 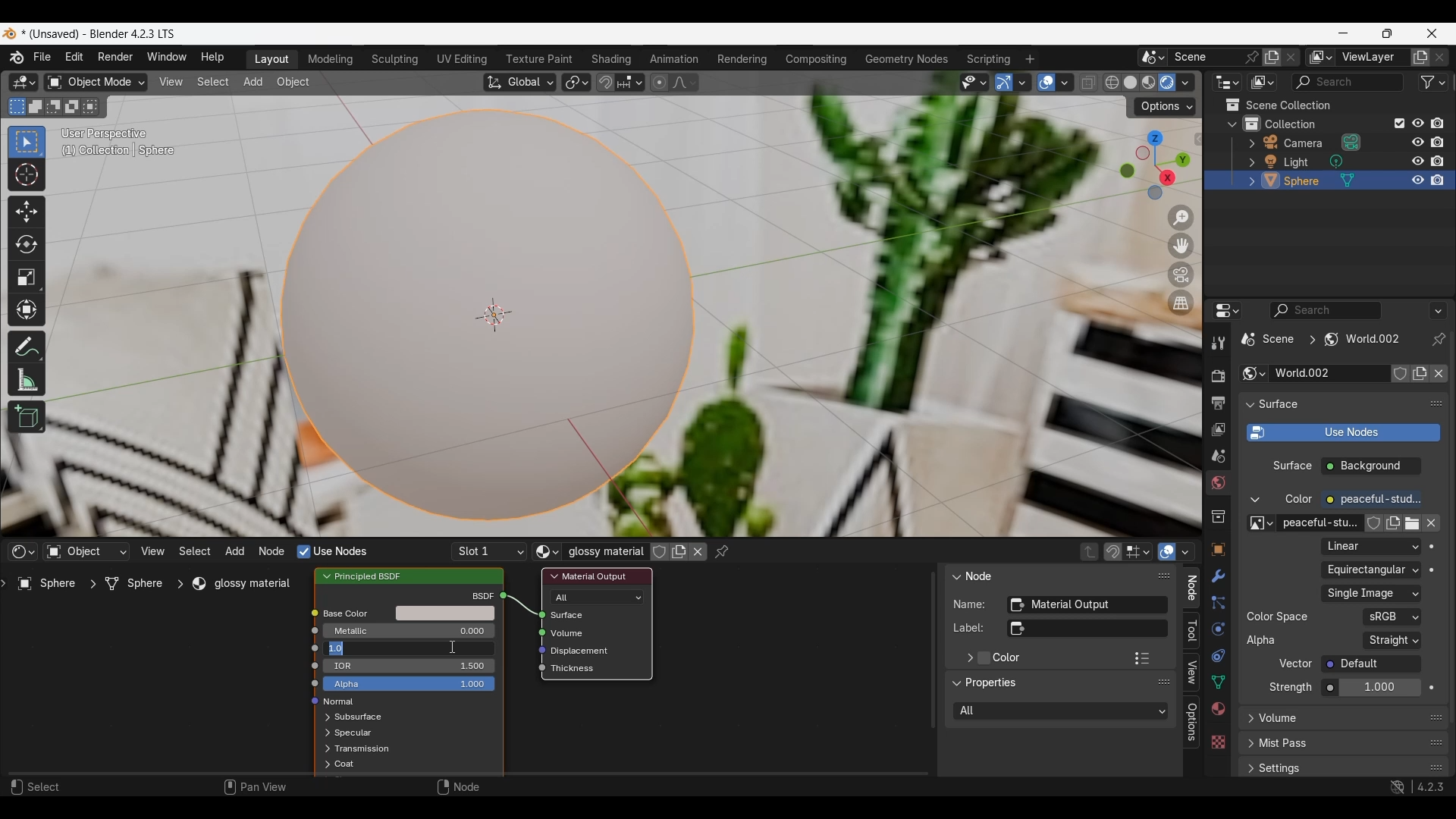 I want to click on Coat options, so click(x=344, y=764).